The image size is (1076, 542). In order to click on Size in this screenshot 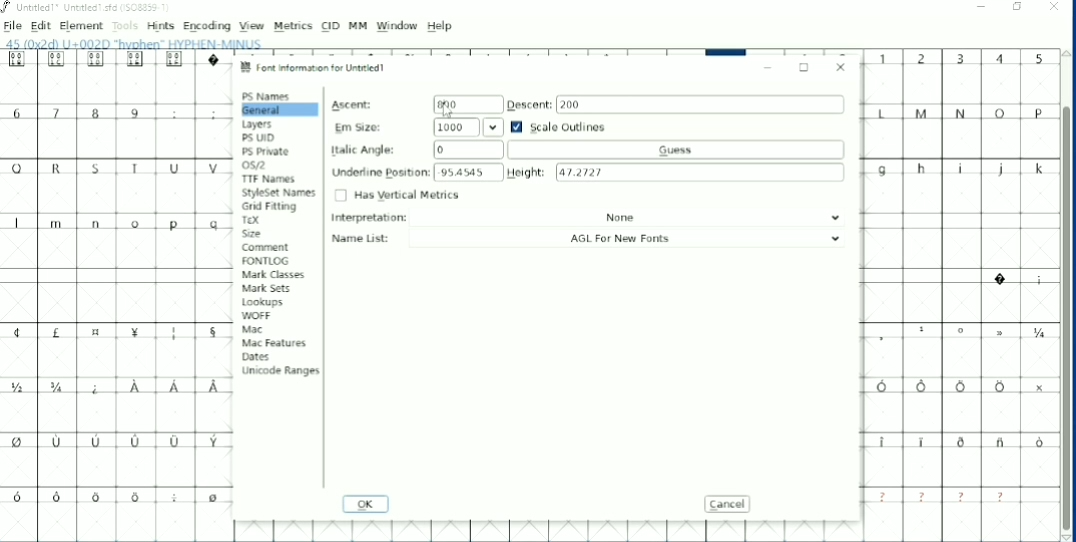, I will do `click(255, 233)`.